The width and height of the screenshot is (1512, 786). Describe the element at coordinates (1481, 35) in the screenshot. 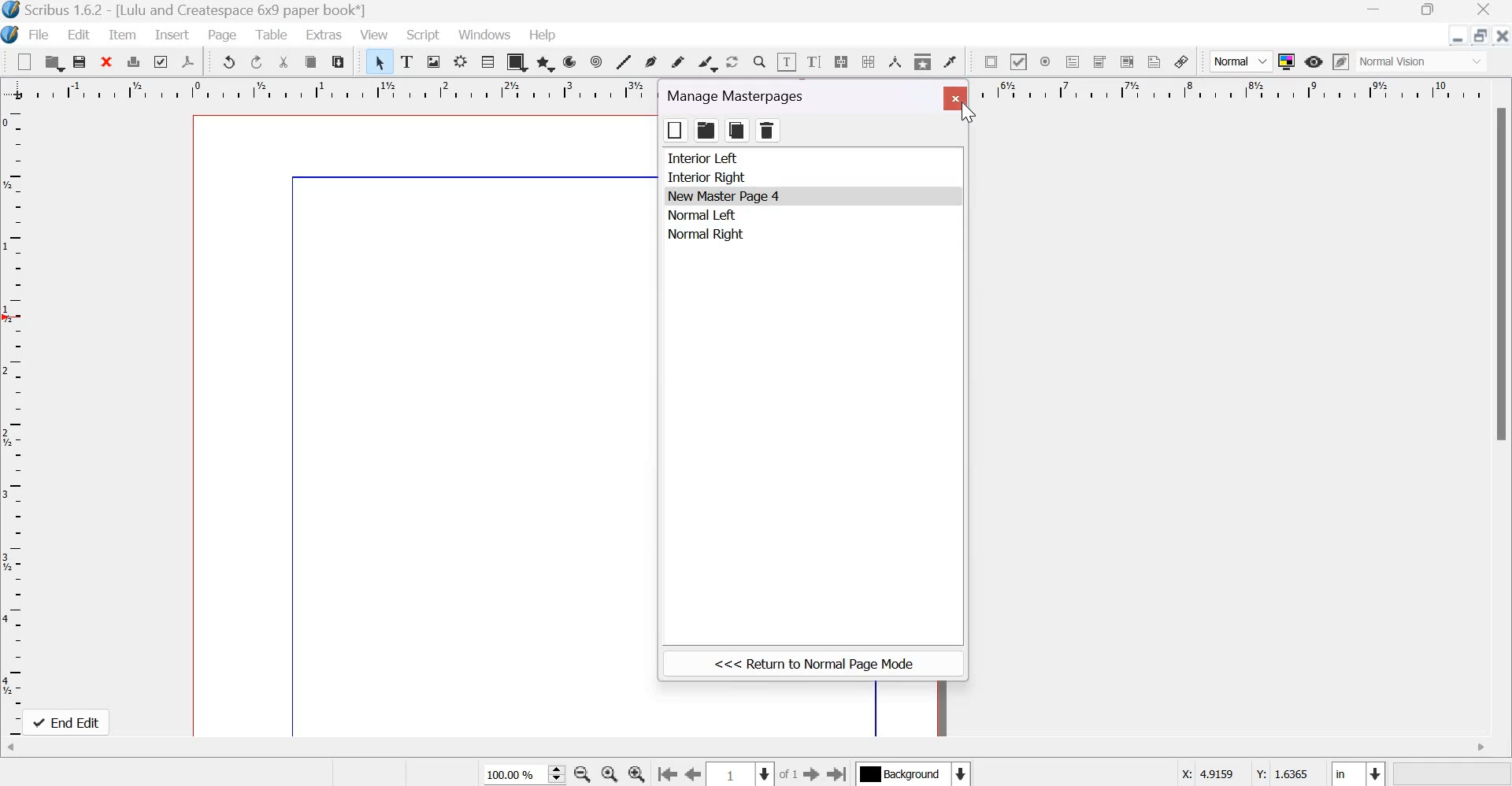

I see `resize` at that location.